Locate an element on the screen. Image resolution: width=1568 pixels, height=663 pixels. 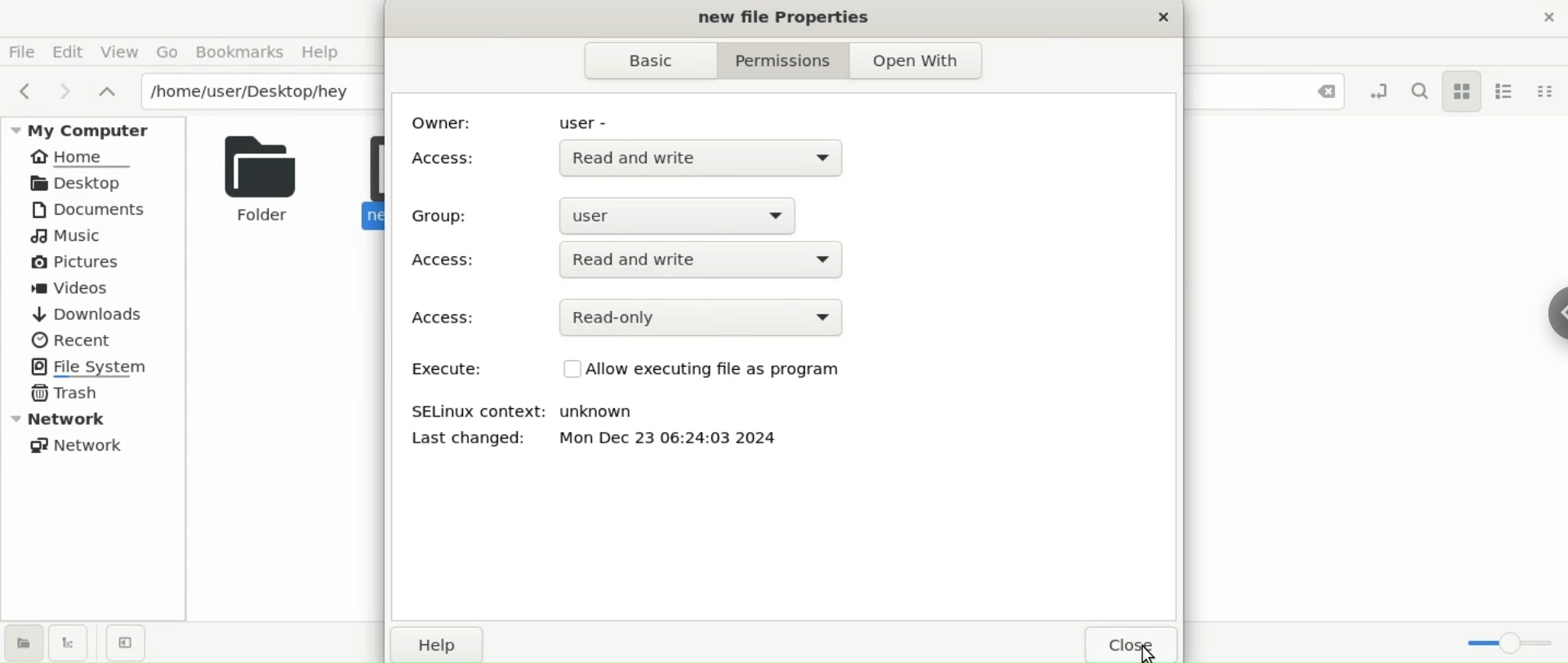
parent folders is located at coordinates (106, 90).